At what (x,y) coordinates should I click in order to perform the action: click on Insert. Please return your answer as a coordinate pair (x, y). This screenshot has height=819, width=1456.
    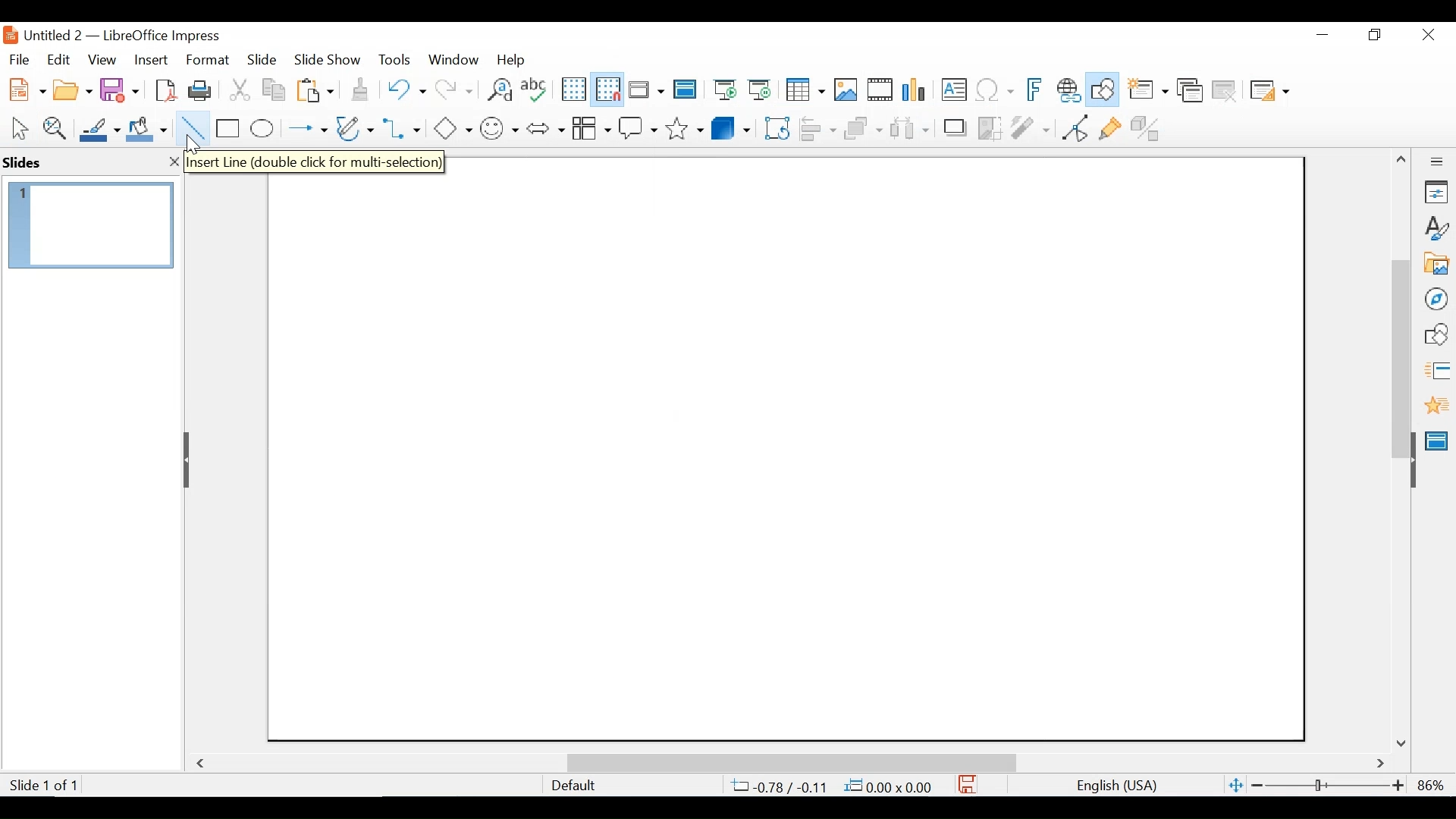
    Looking at the image, I should click on (149, 60).